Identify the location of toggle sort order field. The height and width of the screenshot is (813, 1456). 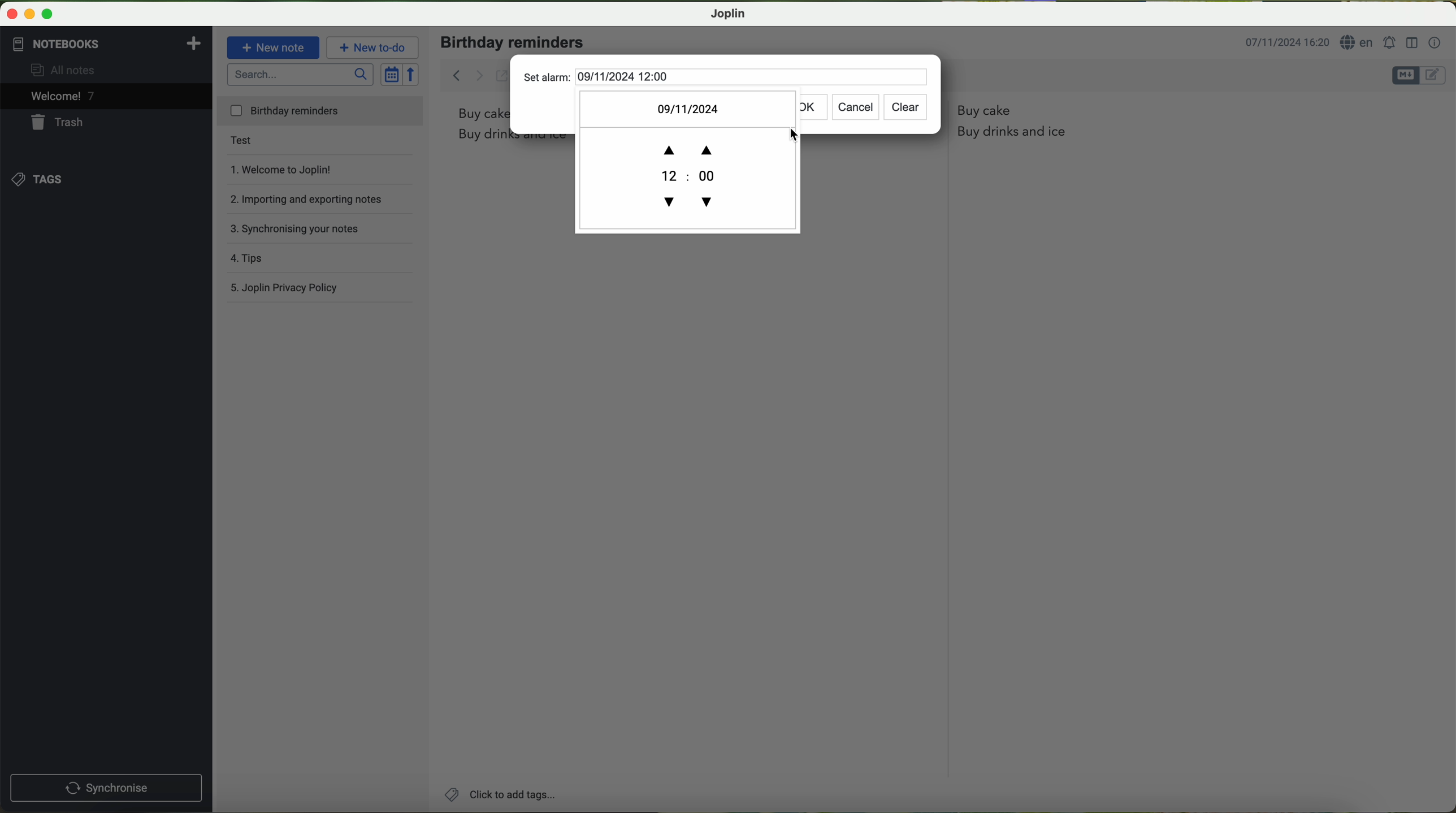
(391, 74).